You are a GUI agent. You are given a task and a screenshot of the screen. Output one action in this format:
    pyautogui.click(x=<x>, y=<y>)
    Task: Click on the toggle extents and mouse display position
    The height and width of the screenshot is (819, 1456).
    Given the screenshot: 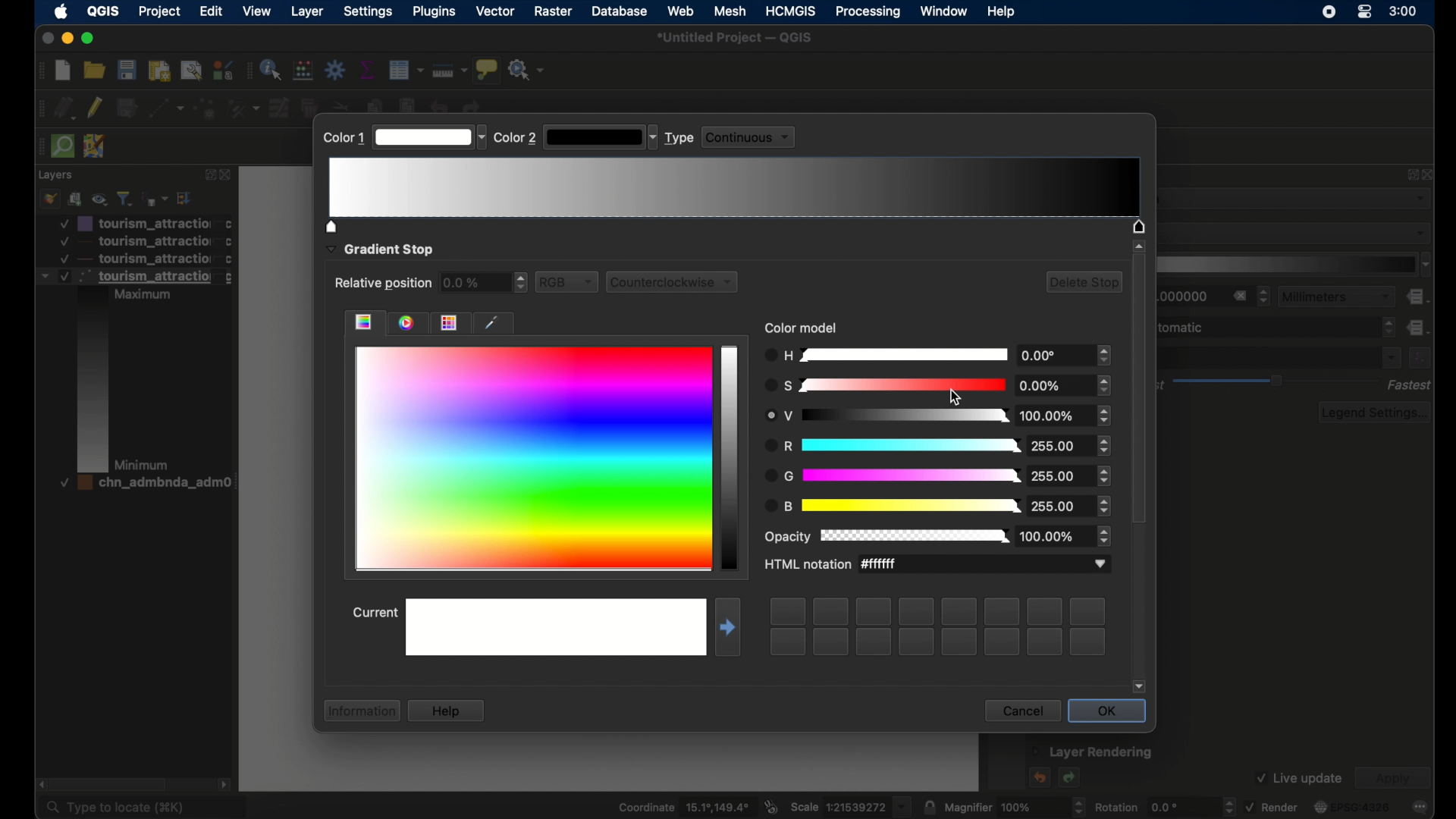 What is the action you would take?
    pyautogui.click(x=771, y=805)
    